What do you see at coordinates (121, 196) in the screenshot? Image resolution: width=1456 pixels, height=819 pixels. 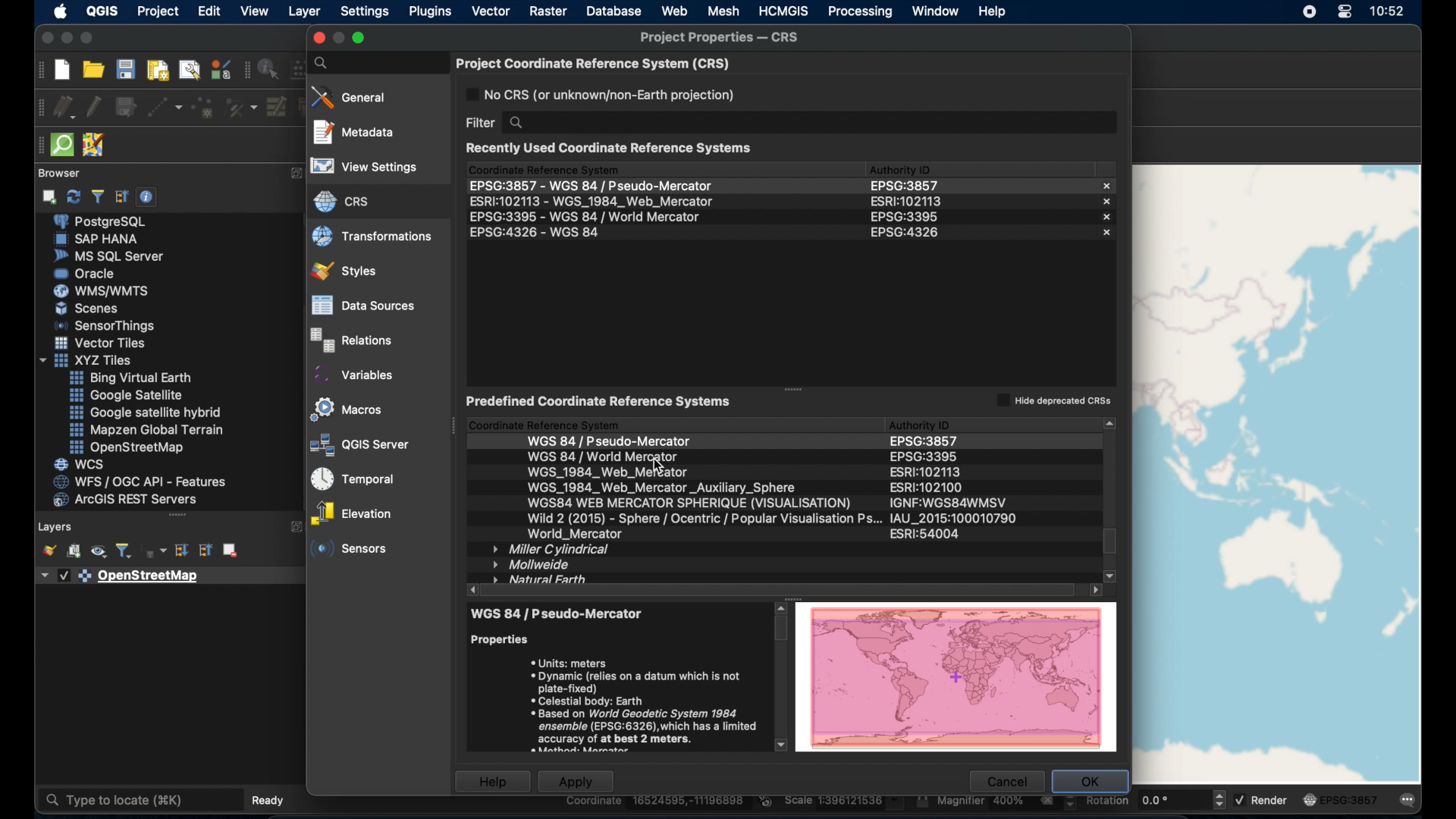 I see `collapse all` at bounding box center [121, 196].